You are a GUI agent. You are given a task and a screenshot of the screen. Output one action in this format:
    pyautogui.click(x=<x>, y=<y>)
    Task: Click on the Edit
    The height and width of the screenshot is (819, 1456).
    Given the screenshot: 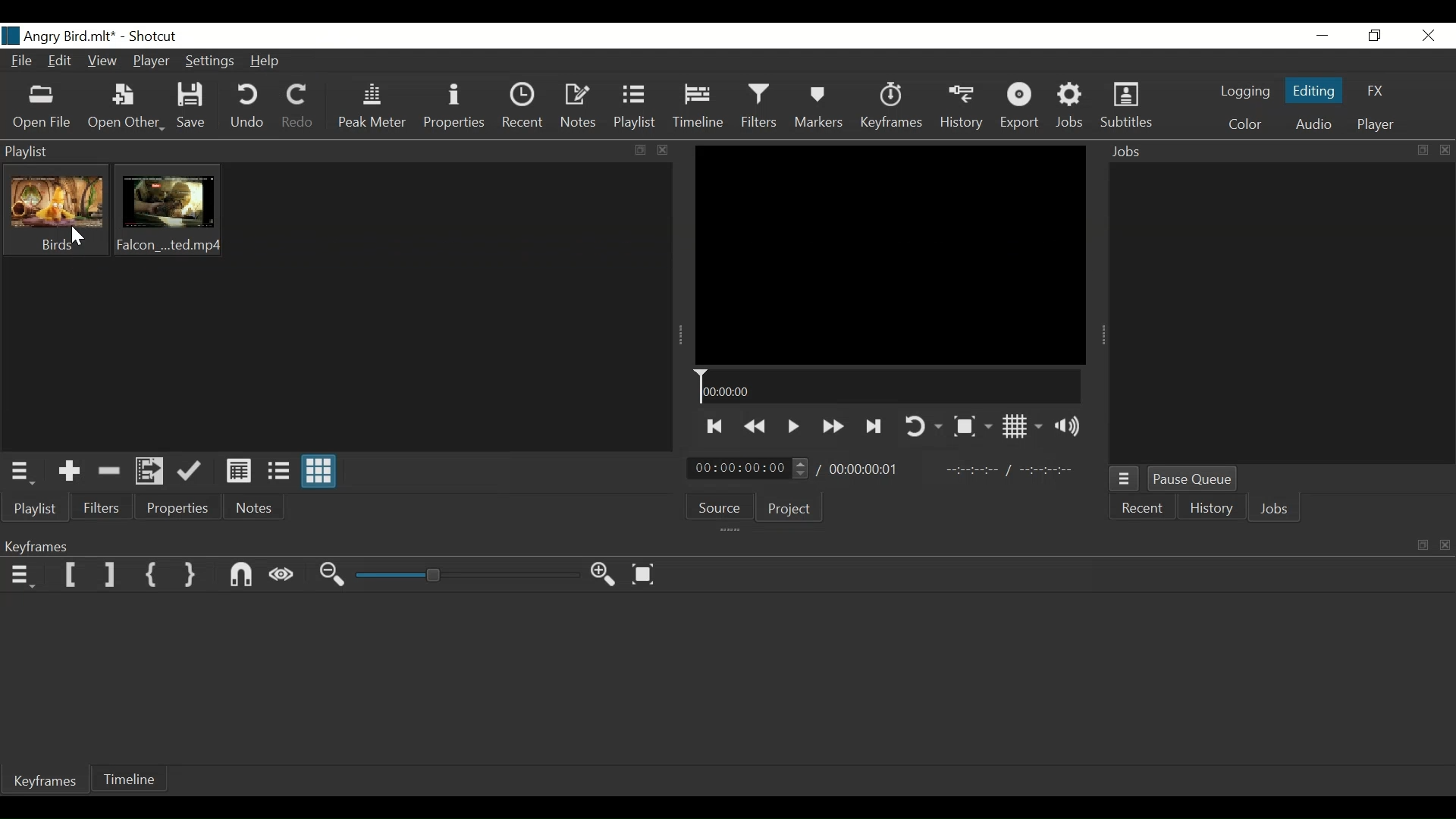 What is the action you would take?
    pyautogui.click(x=61, y=63)
    